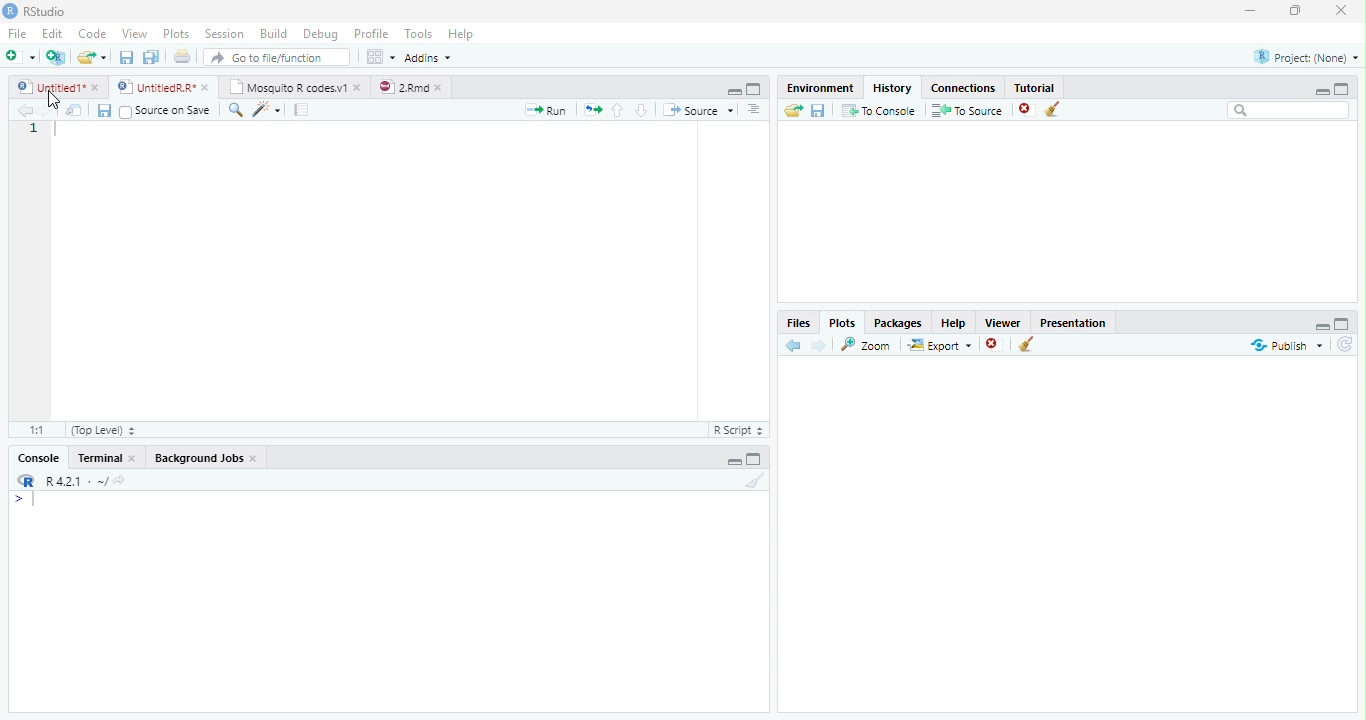  What do you see at coordinates (1002, 321) in the screenshot?
I see `Viewer` at bounding box center [1002, 321].